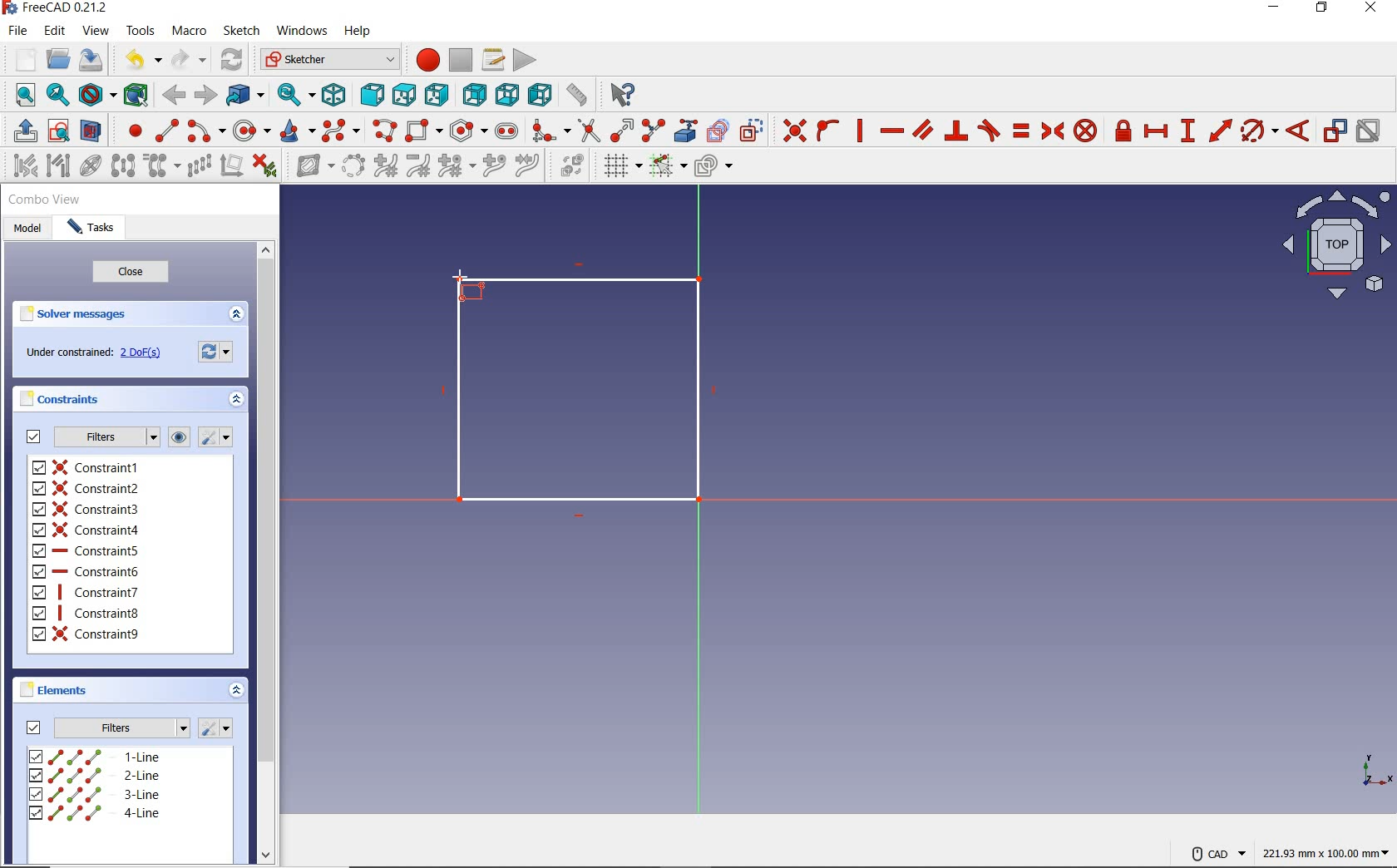 Image resolution: width=1397 pixels, height=868 pixels. What do you see at coordinates (1219, 131) in the screenshot?
I see `constrain distance` at bounding box center [1219, 131].